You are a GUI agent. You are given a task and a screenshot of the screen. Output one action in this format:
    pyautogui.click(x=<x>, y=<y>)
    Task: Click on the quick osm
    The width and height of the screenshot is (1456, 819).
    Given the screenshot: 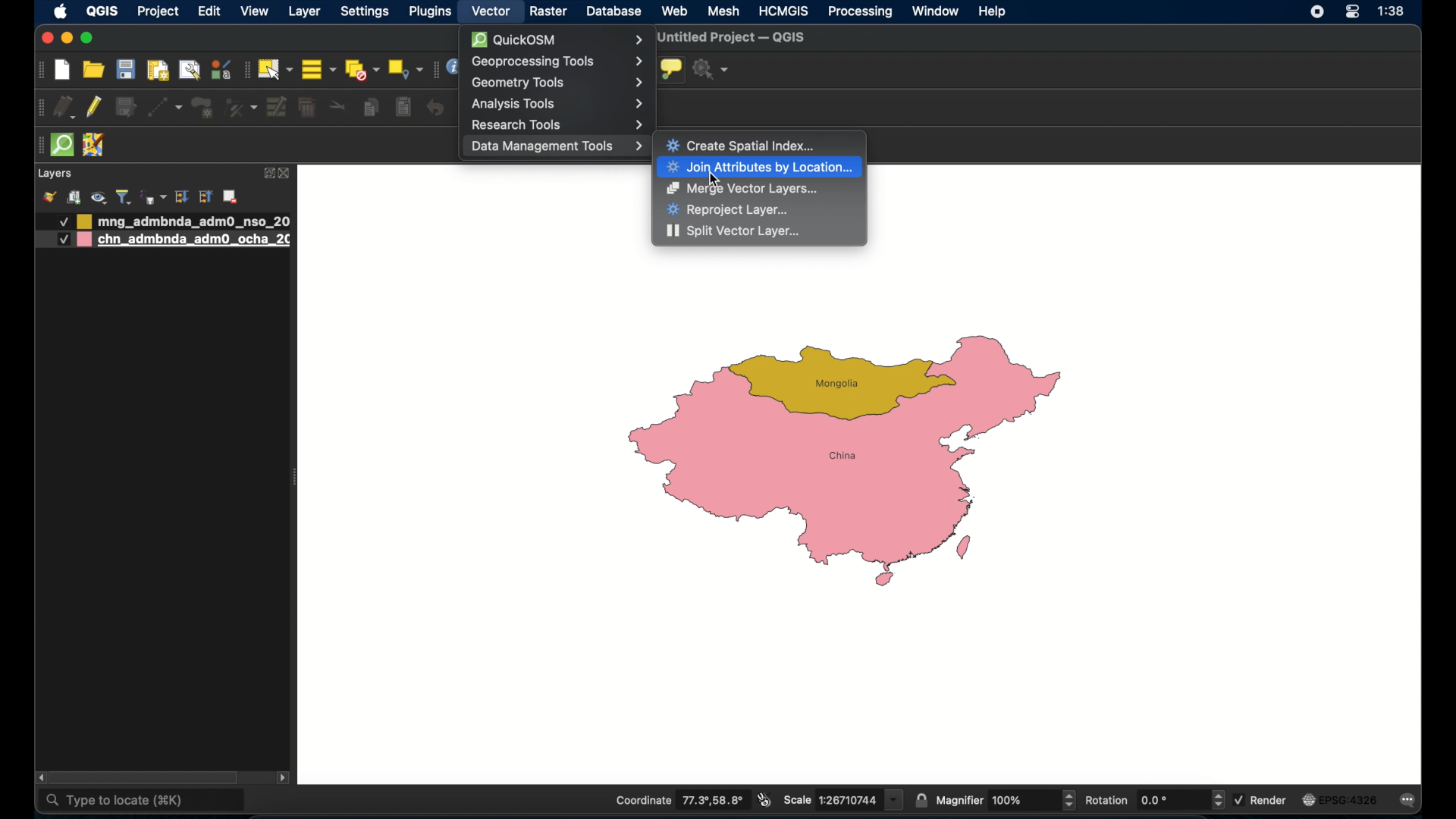 What is the action you would take?
    pyautogui.click(x=63, y=146)
    